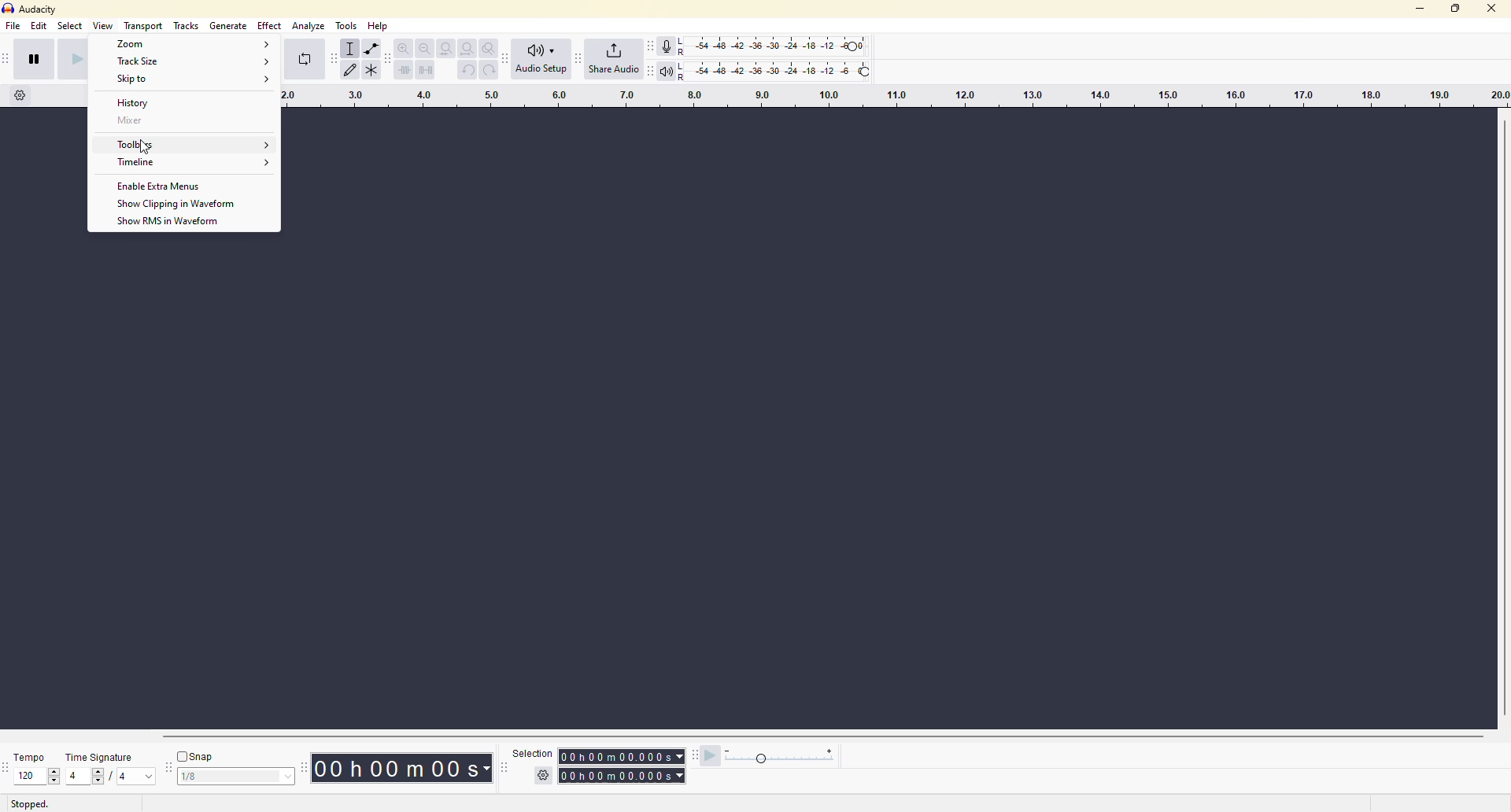 This screenshot has height=812, width=1511. I want to click on History, so click(172, 103).